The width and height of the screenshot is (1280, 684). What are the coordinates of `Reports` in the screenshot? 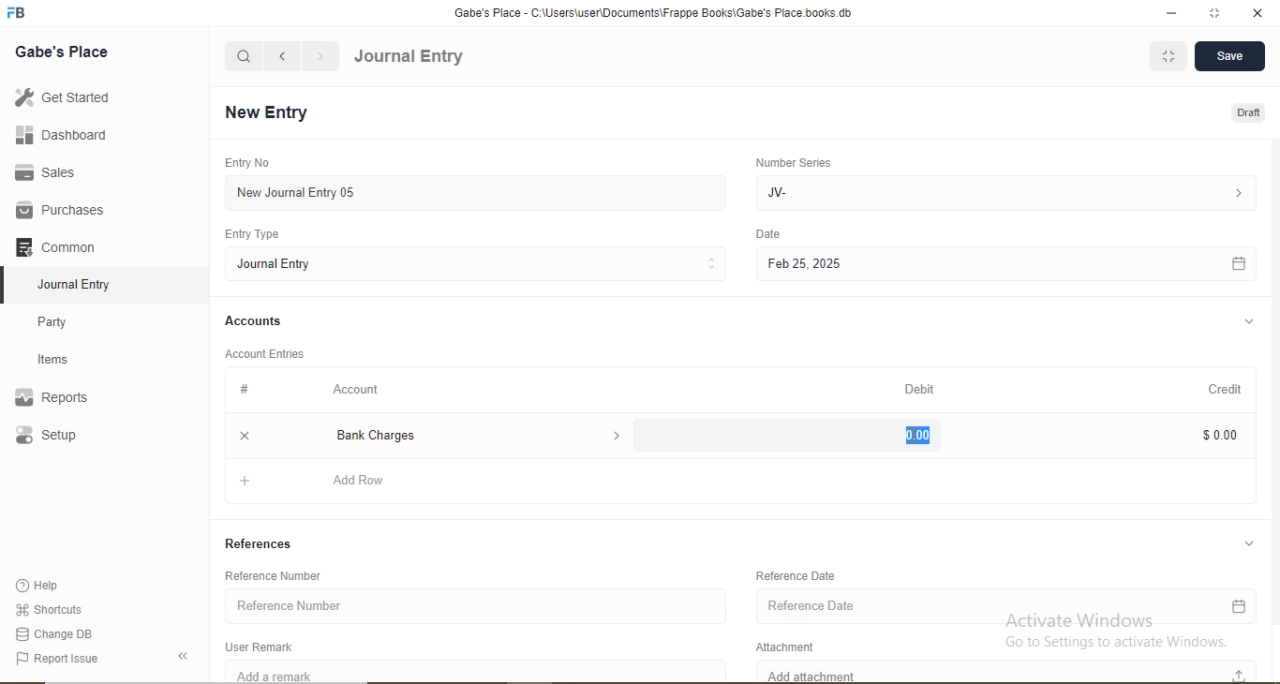 It's located at (61, 398).